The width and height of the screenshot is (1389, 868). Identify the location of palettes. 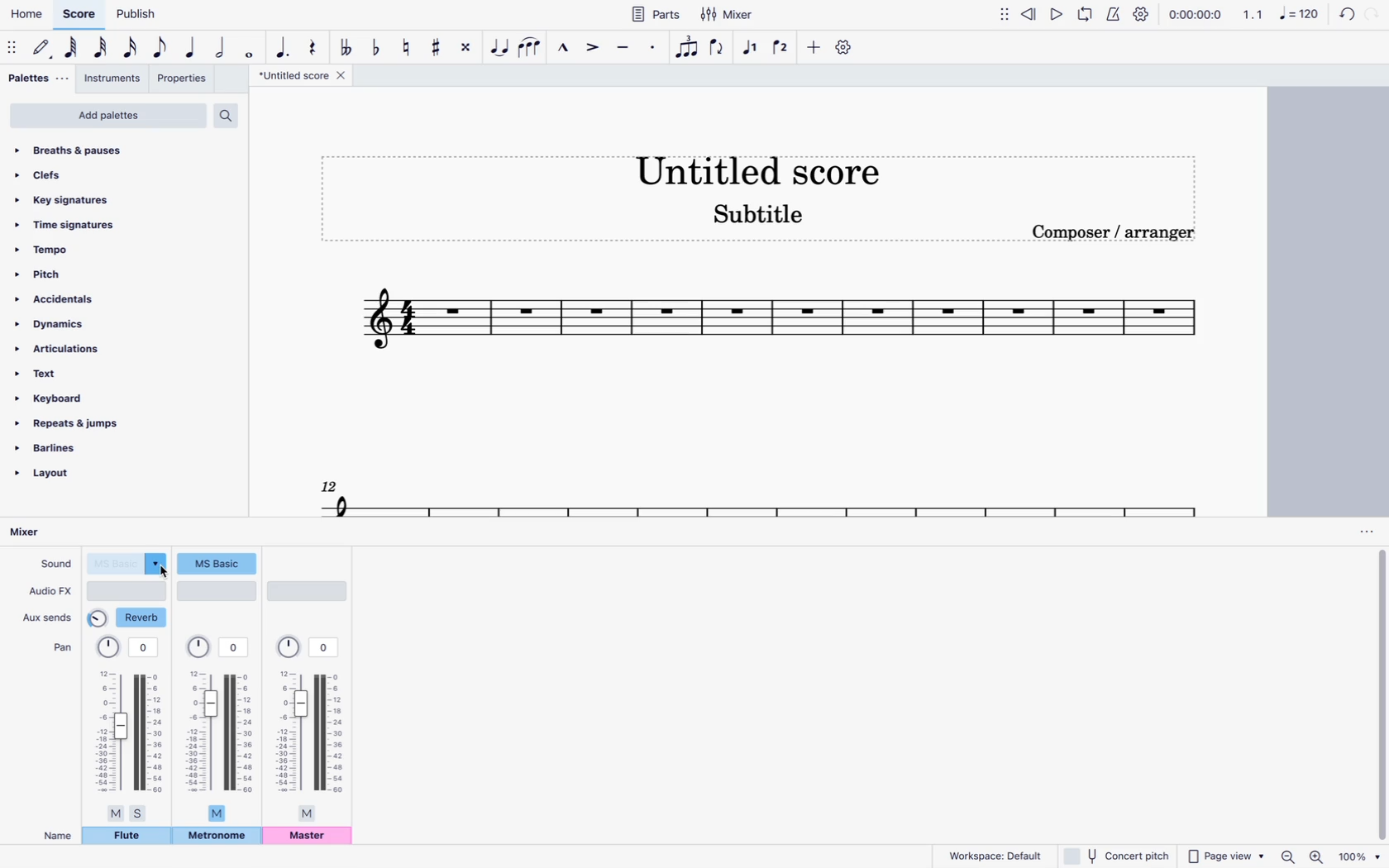
(39, 81).